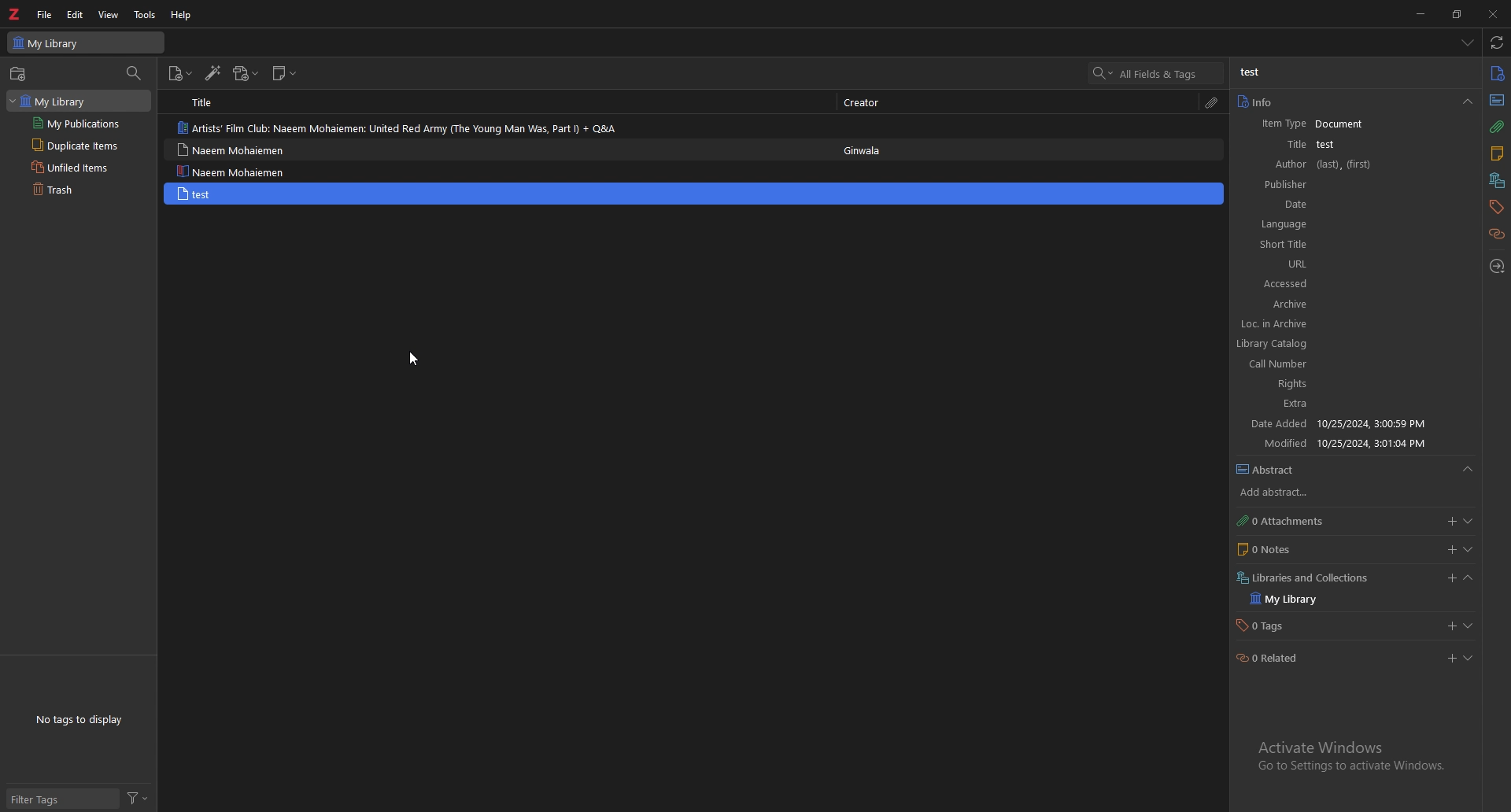 This screenshot has height=812, width=1511. I want to click on Info, so click(1306, 122).